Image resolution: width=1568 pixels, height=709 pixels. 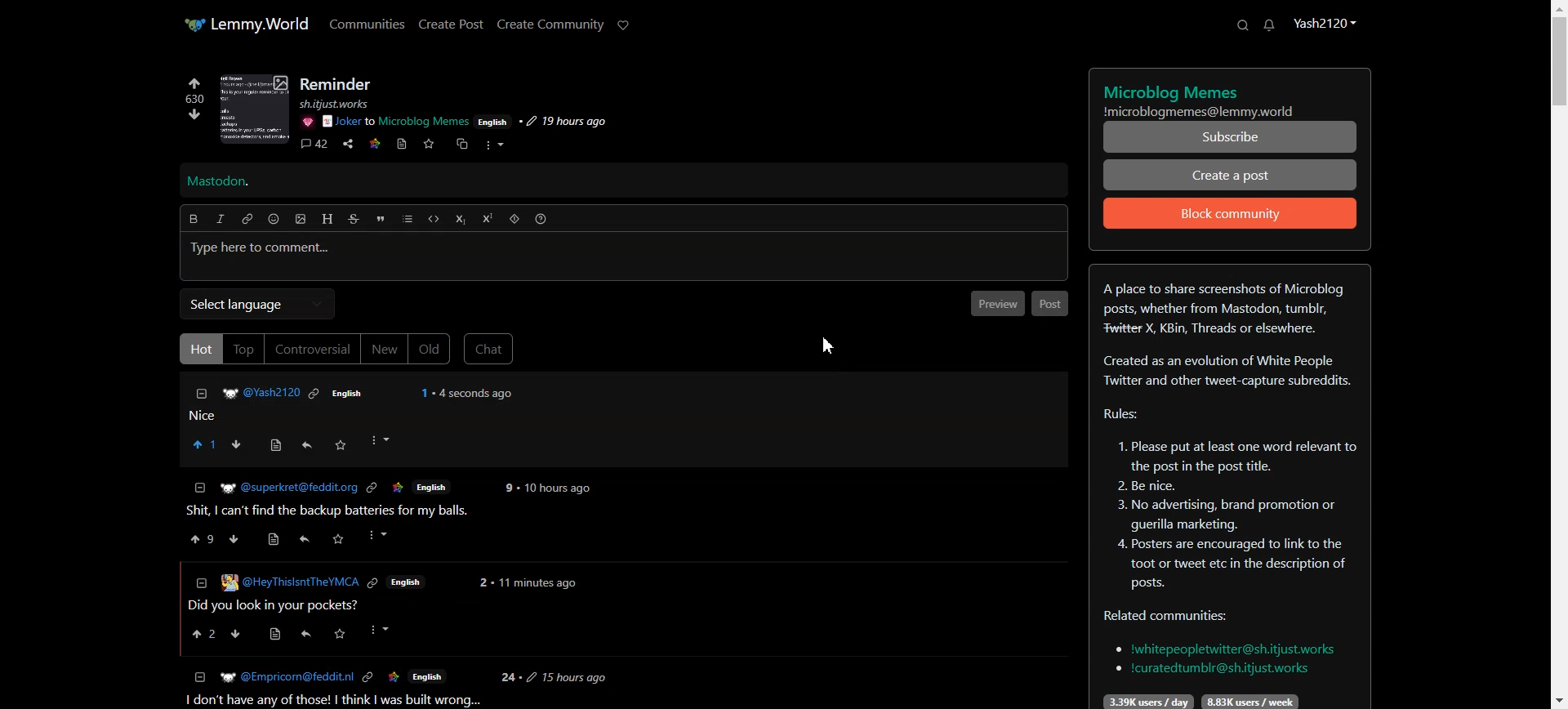 I want to click on Subscript, so click(x=460, y=220).